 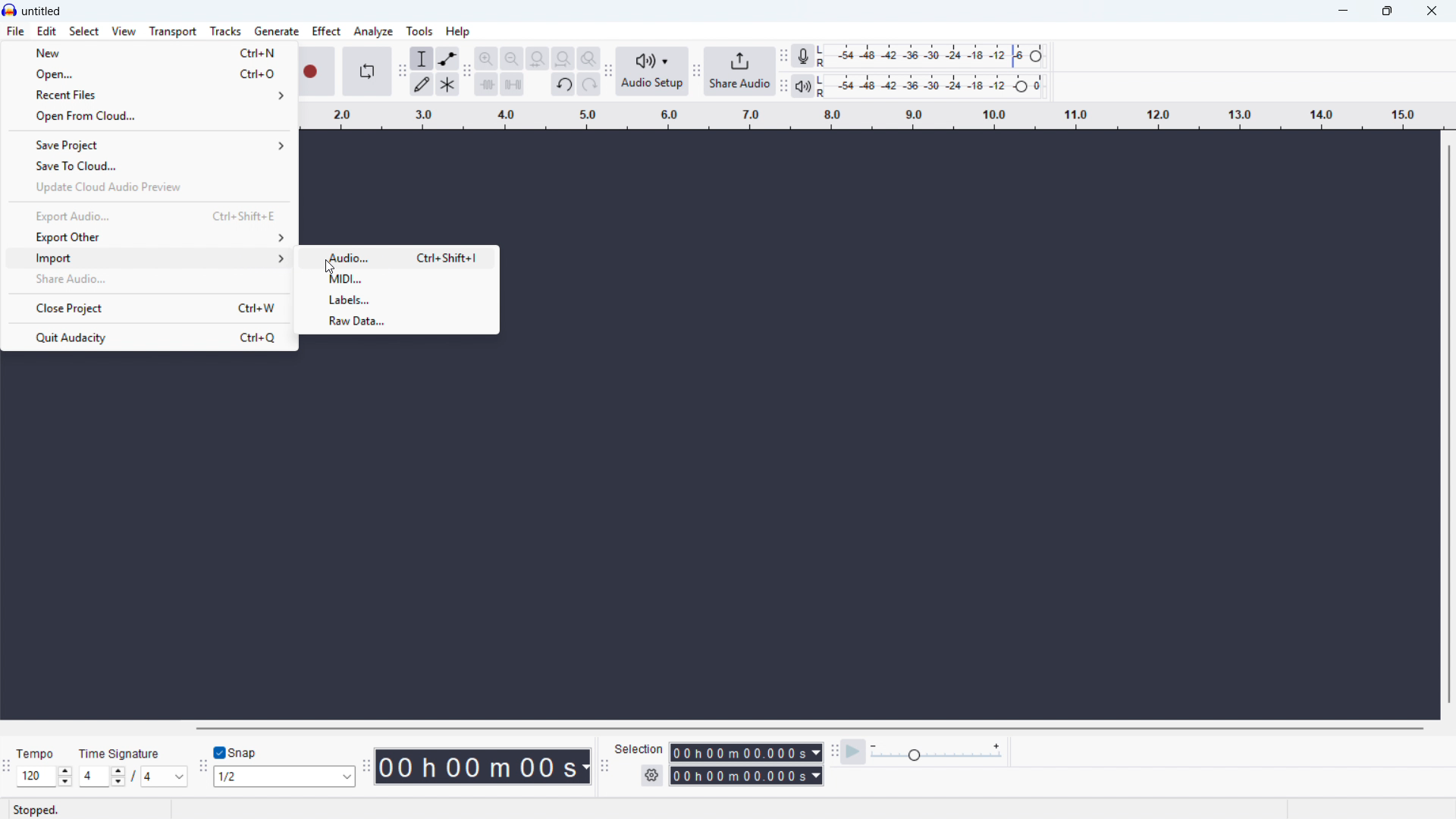 I want to click on Open from cloud , so click(x=148, y=118).